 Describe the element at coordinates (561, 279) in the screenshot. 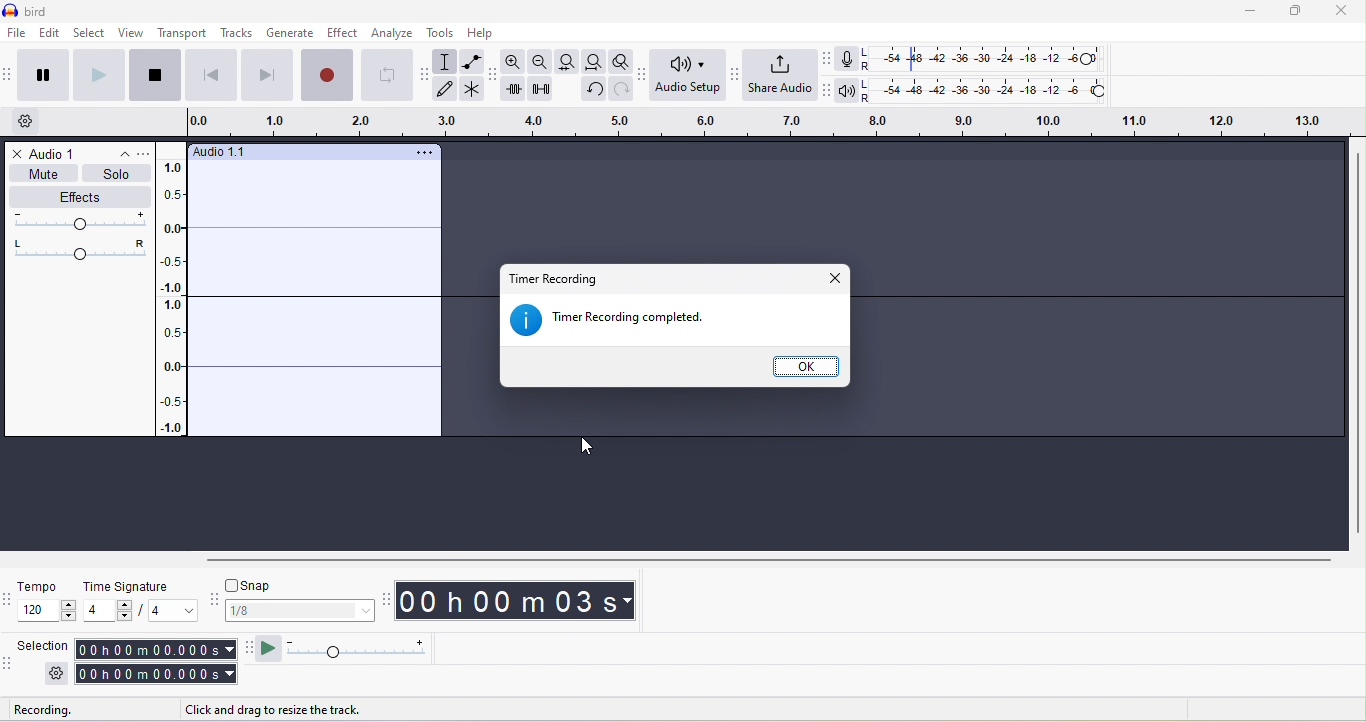

I see `timer recording` at that location.